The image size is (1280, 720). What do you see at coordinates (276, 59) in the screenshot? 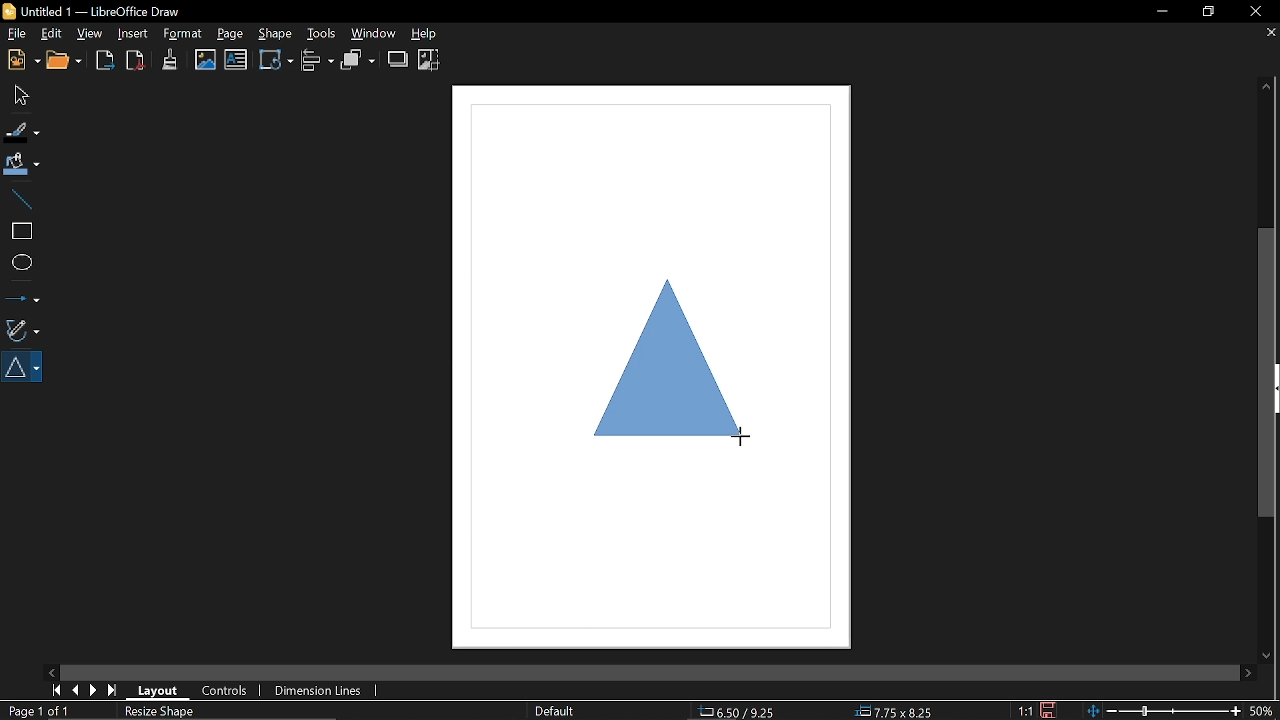
I see `Transformation` at bounding box center [276, 59].